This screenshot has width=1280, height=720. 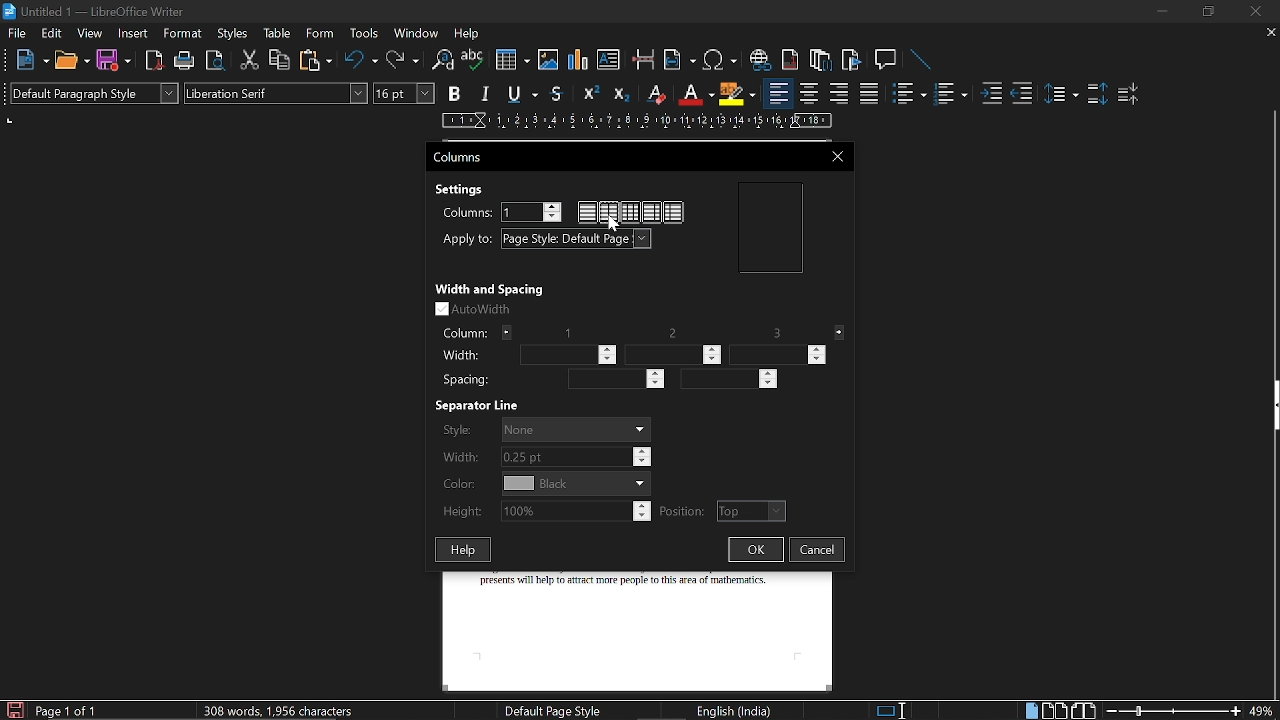 I want to click on Window, so click(x=415, y=33).